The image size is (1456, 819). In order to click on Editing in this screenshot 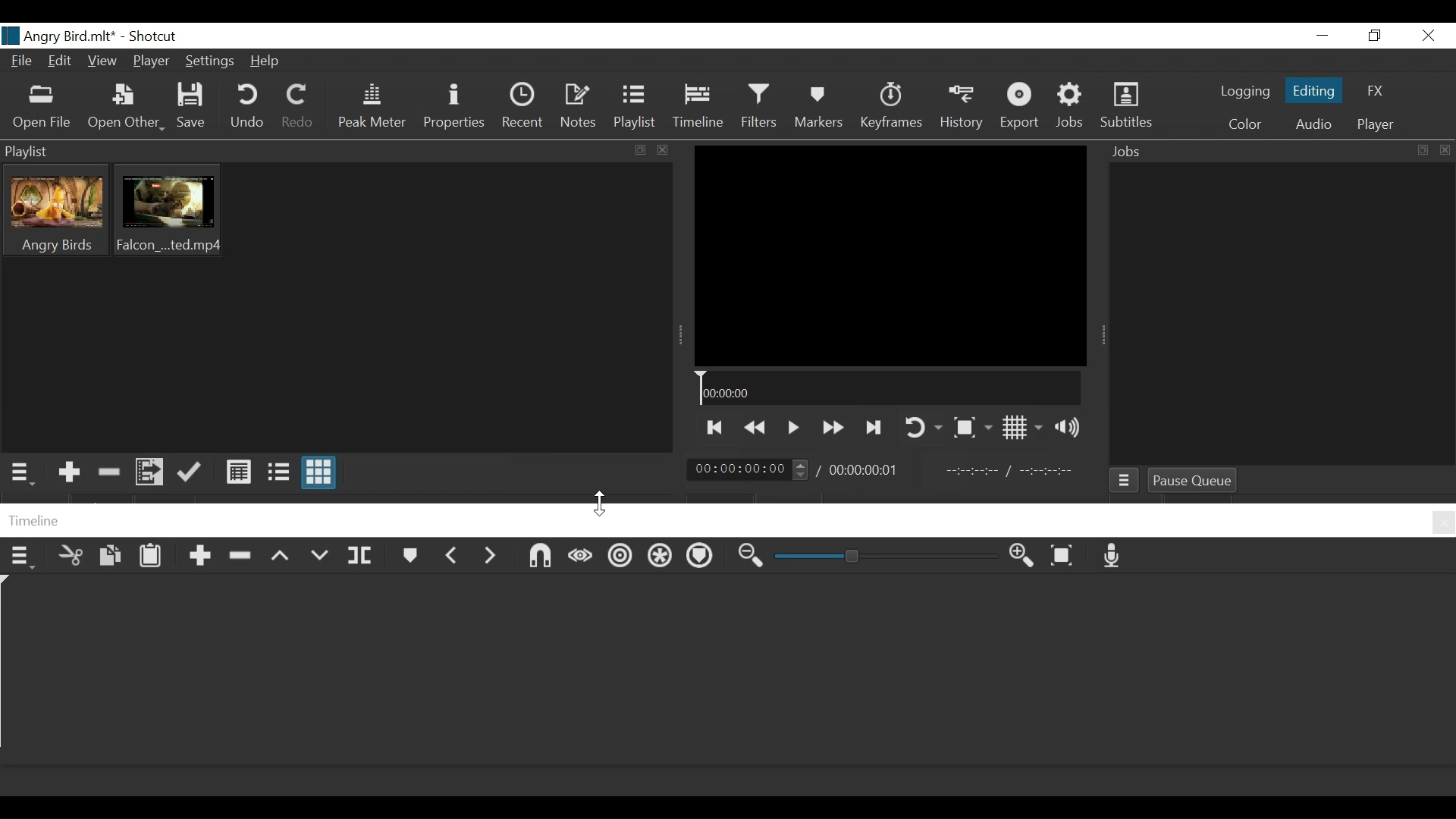, I will do `click(1313, 89)`.